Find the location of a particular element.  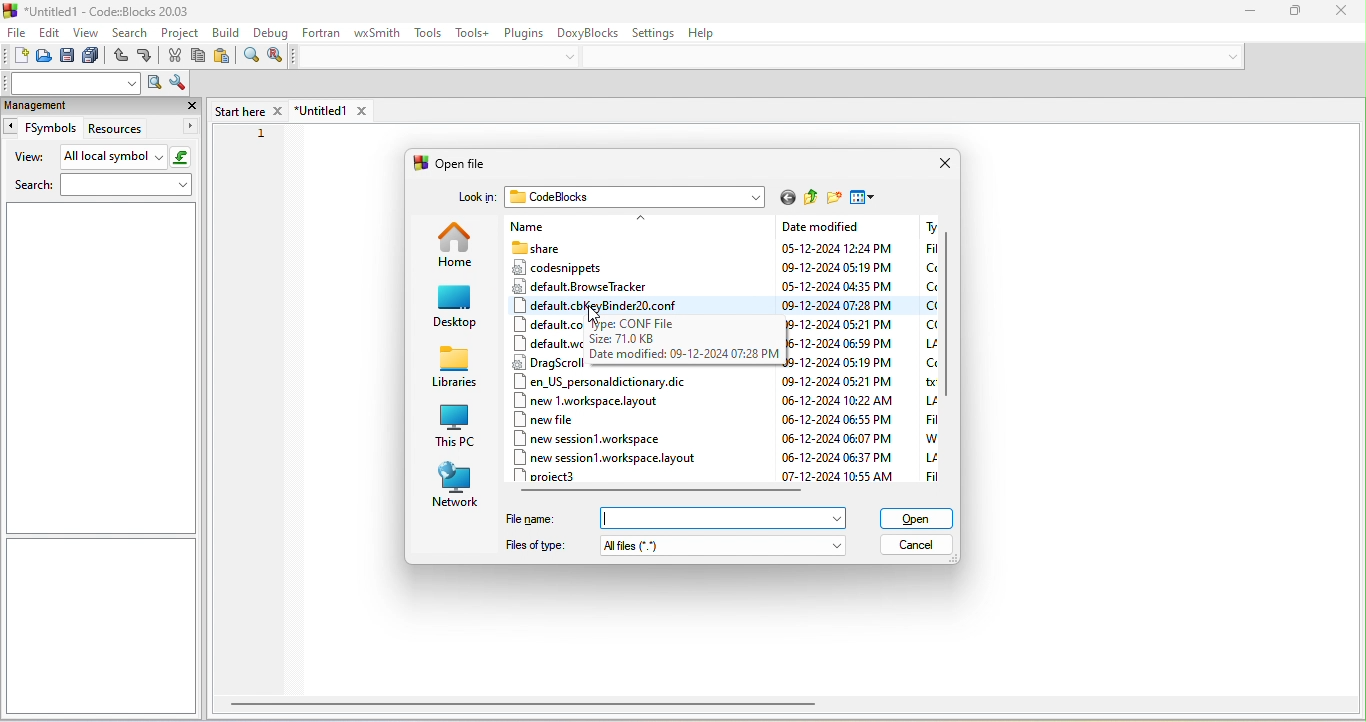

cancel is located at coordinates (918, 546).